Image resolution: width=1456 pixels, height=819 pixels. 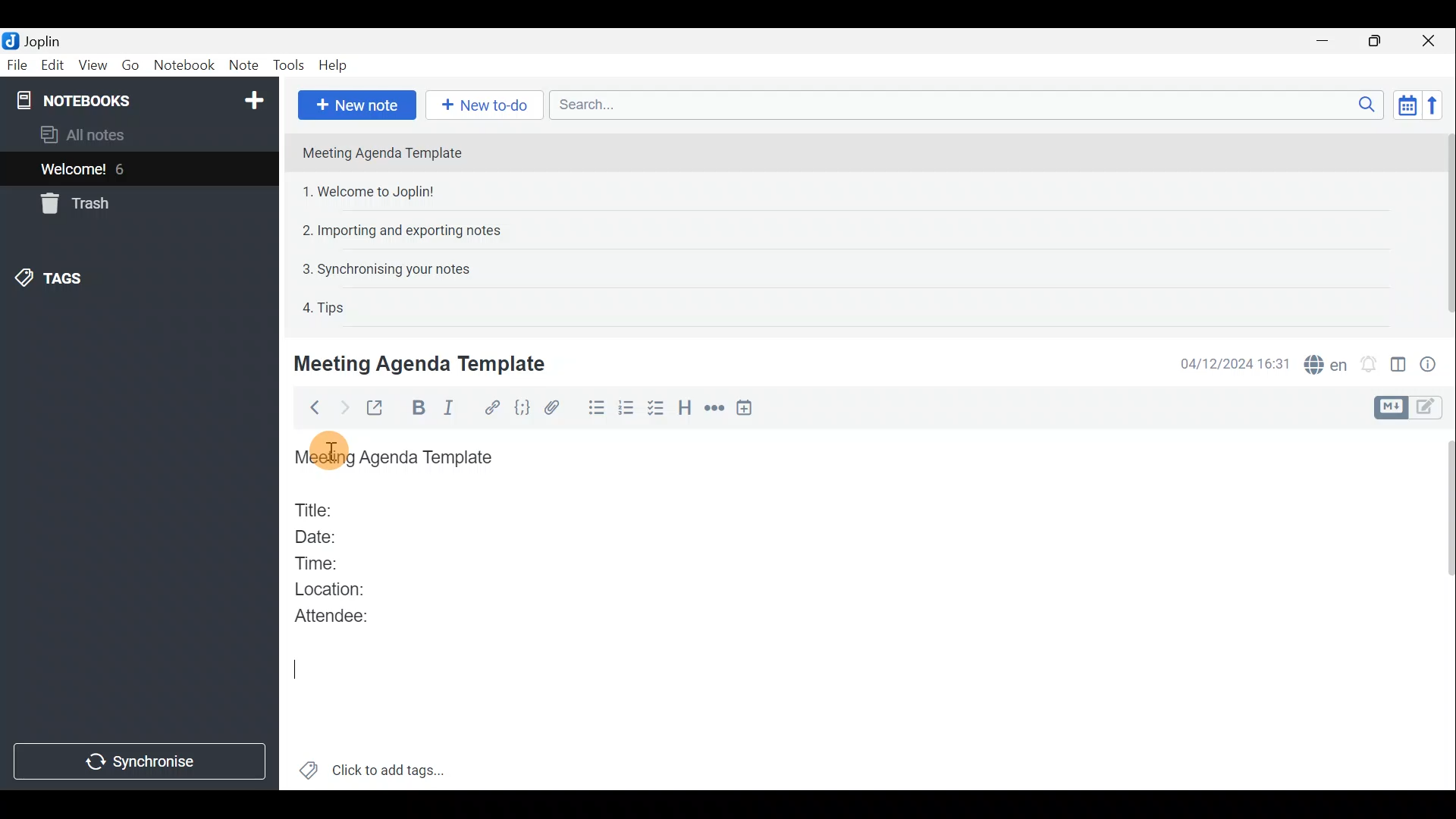 I want to click on Toggle editor layout, so click(x=1399, y=367).